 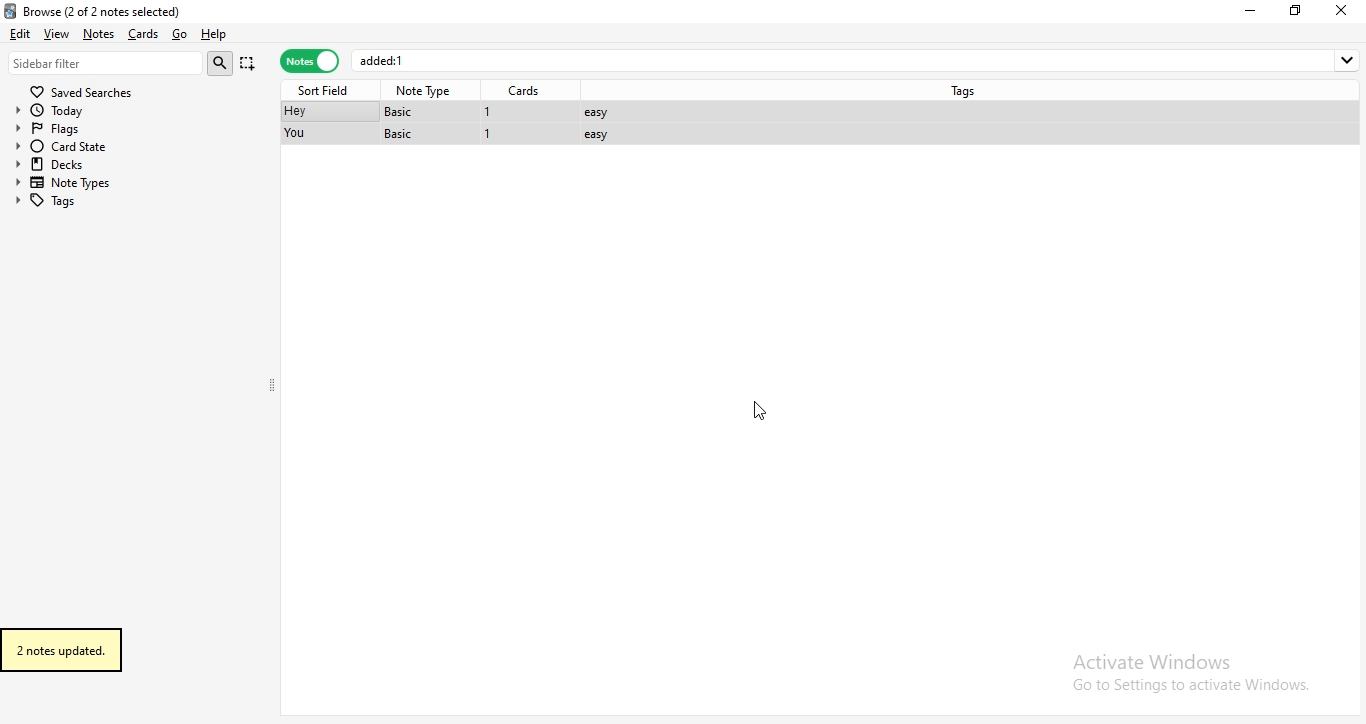 What do you see at coordinates (297, 134) in the screenshot?
I see `you` at bounding box center [297, 134].